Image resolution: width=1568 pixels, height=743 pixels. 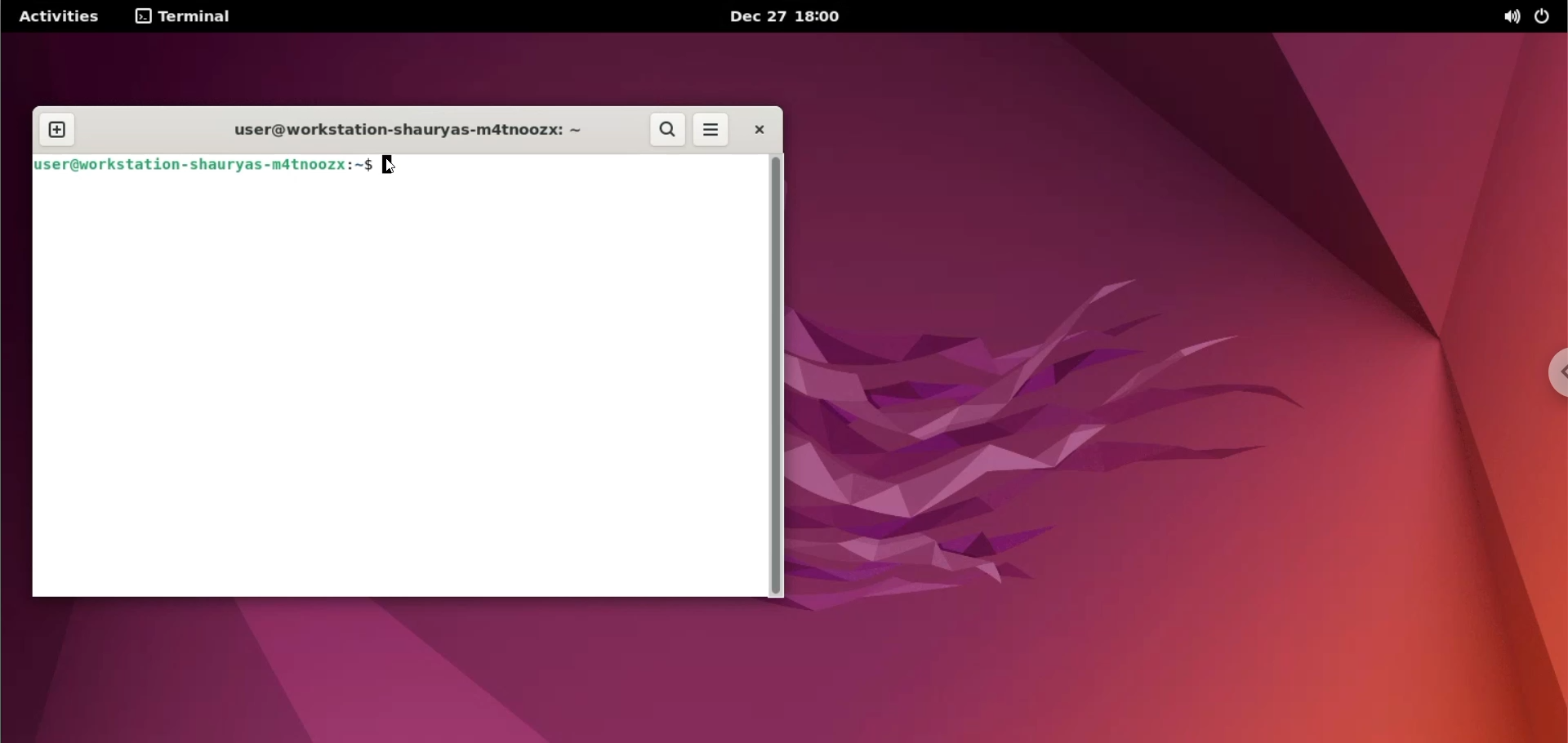 What do you see at coordinates (668, 130) in the screenshot?
I see `search` at bounding box center [668, 130].